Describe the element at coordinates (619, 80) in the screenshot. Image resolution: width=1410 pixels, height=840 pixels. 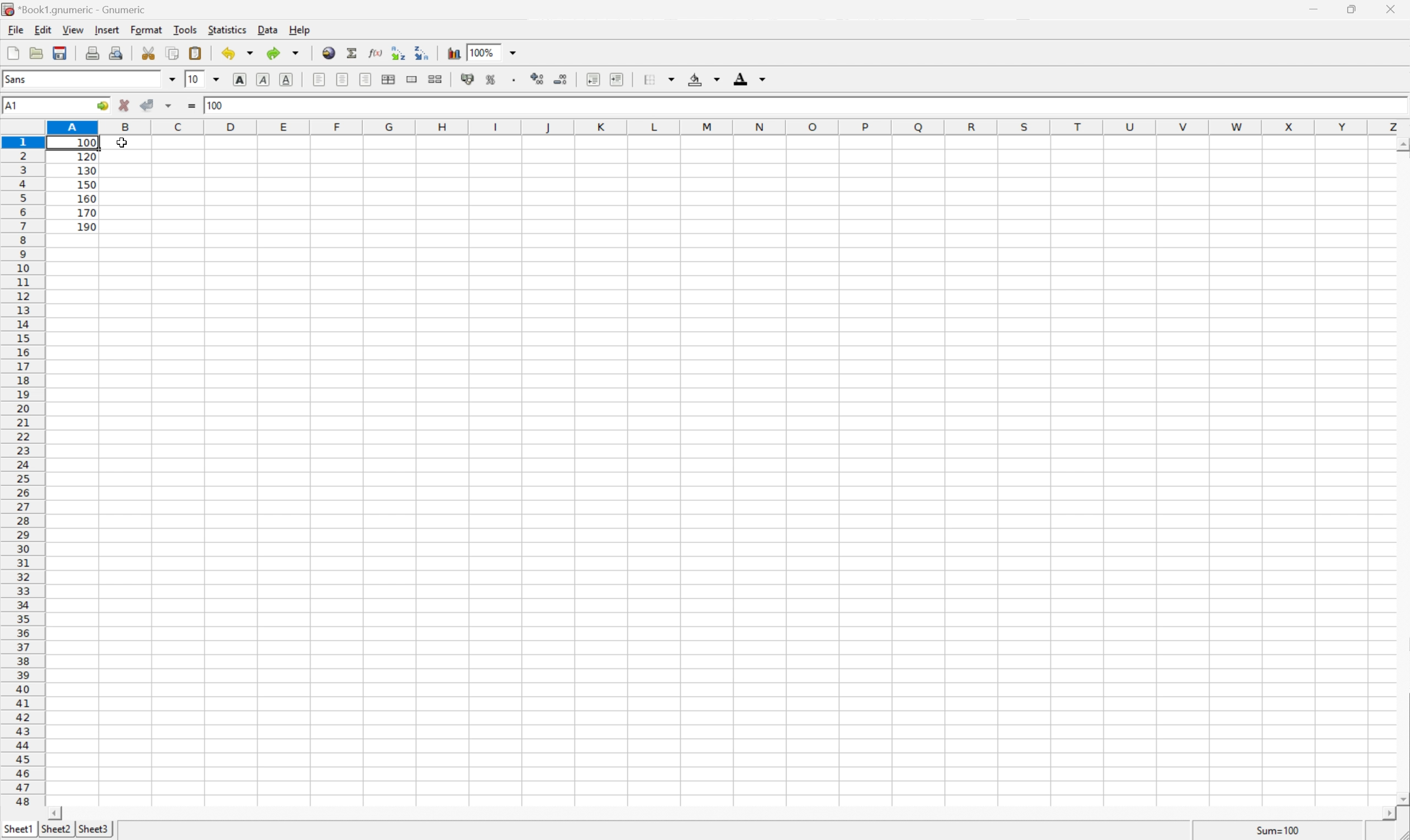
I see `Increase indent, and align the contents to the left` at that location.